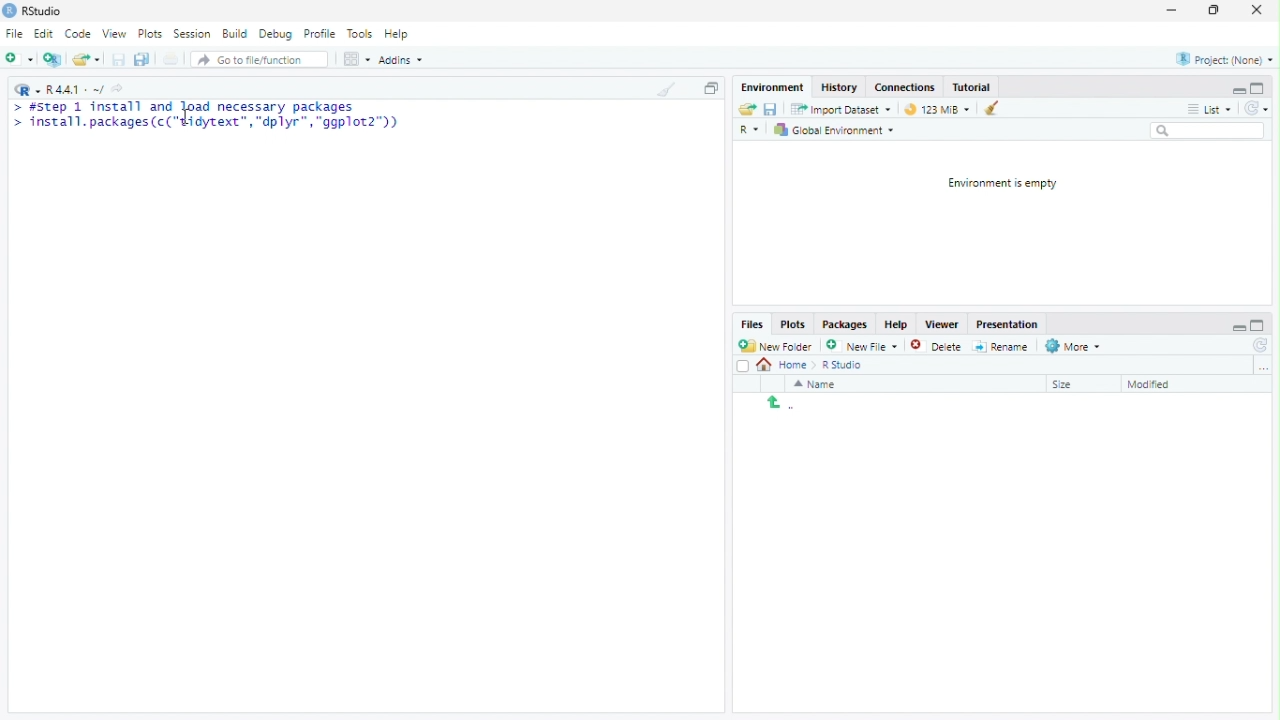 The image size is (1280, 720). Describe the element at coordinates (1237, 89) in the screenshot. I see `Minimize` at that location.